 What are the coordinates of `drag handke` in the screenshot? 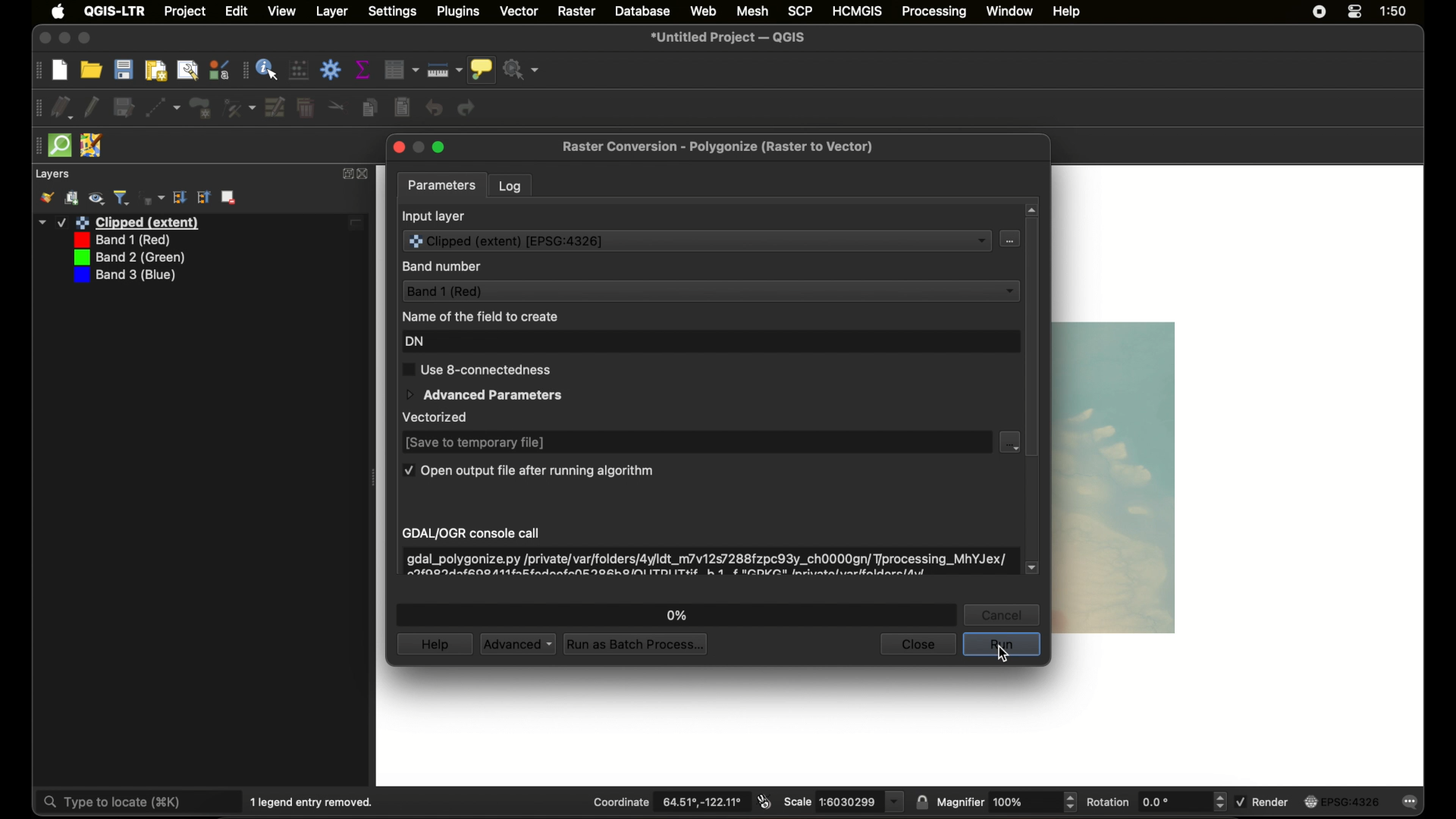 It's located at (37, 108).